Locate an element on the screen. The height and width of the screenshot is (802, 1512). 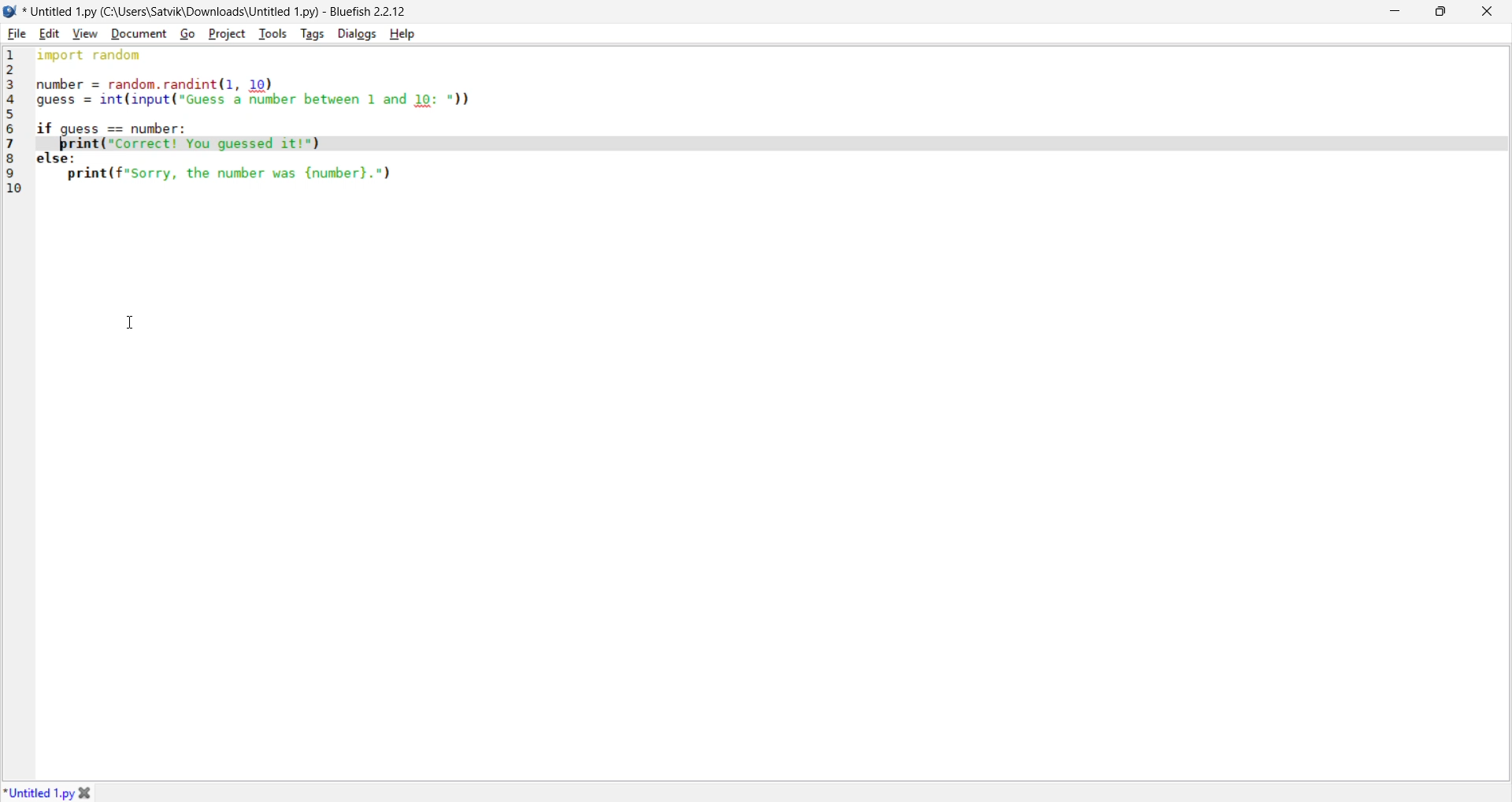
8 else: 9 print(f"Sorry, the number was {number}.") 10 is located at coordinates (287, 179).